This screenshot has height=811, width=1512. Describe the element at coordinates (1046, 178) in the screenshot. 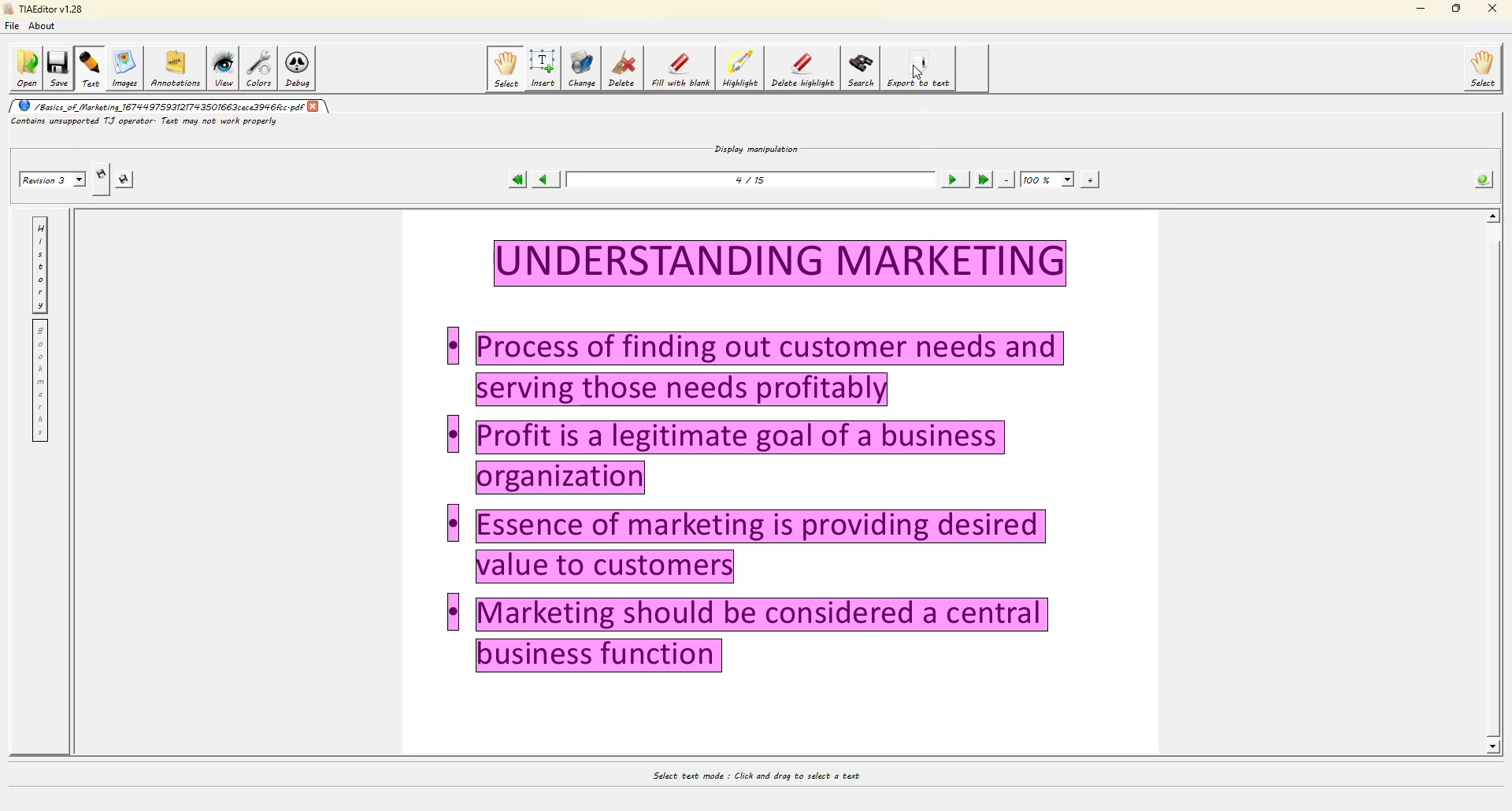

I see `100%` at that location.